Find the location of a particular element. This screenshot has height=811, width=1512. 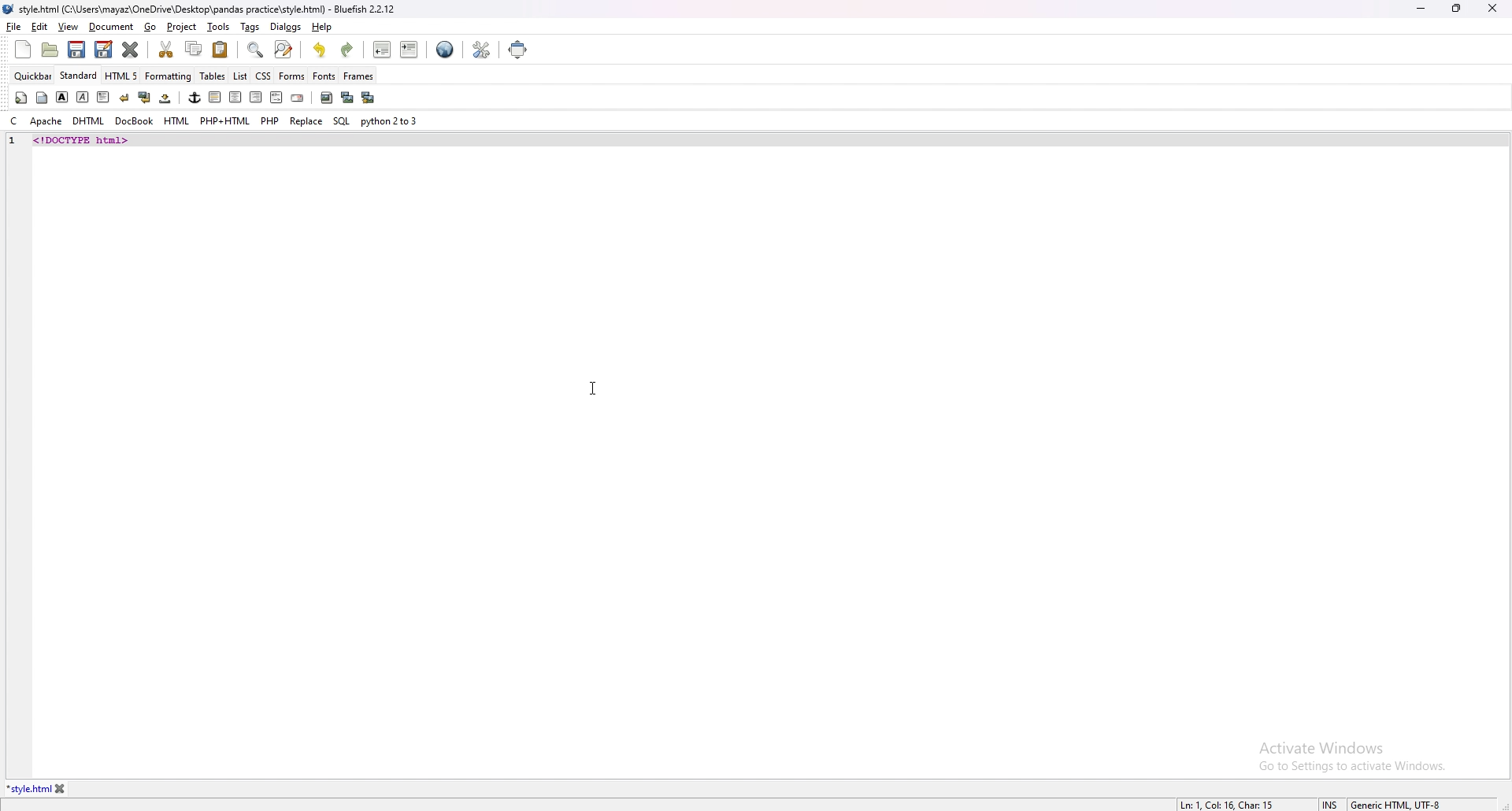

file is located at coordinates (14, 26).